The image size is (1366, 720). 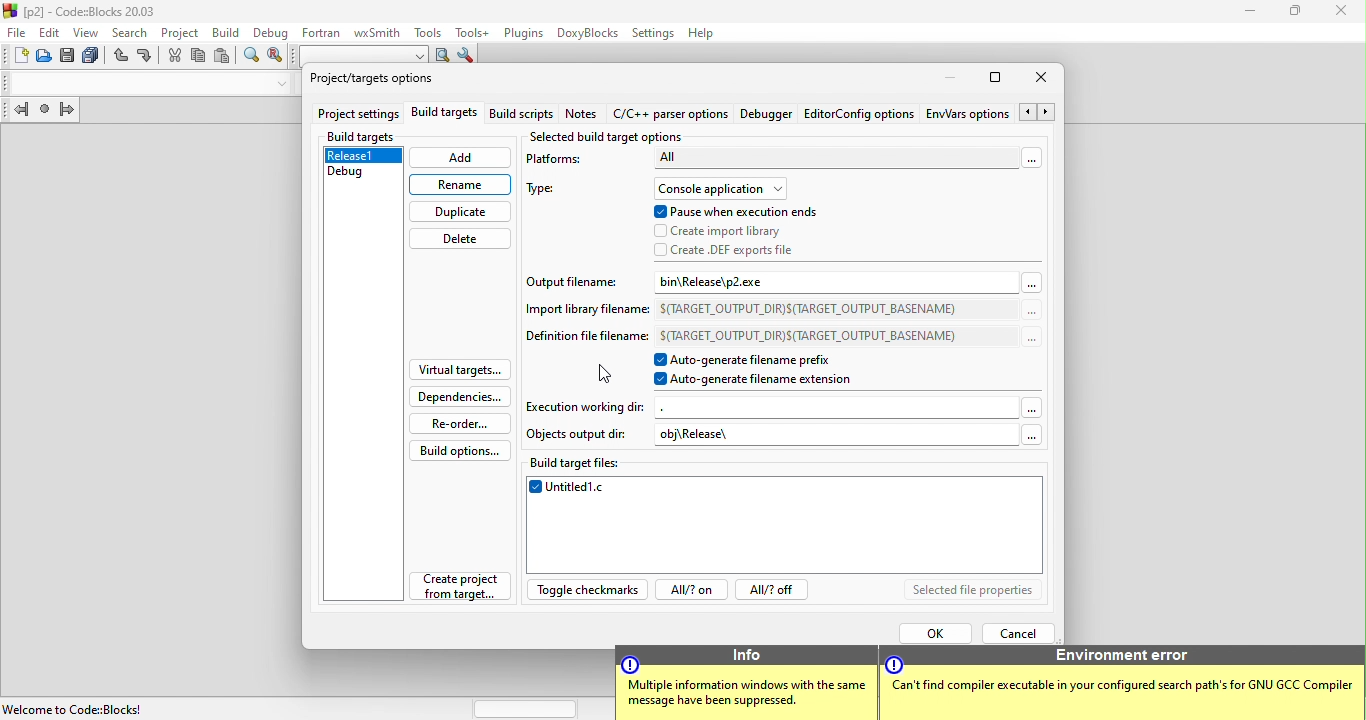 I want to click on plugins, so click(x=521, y=33).